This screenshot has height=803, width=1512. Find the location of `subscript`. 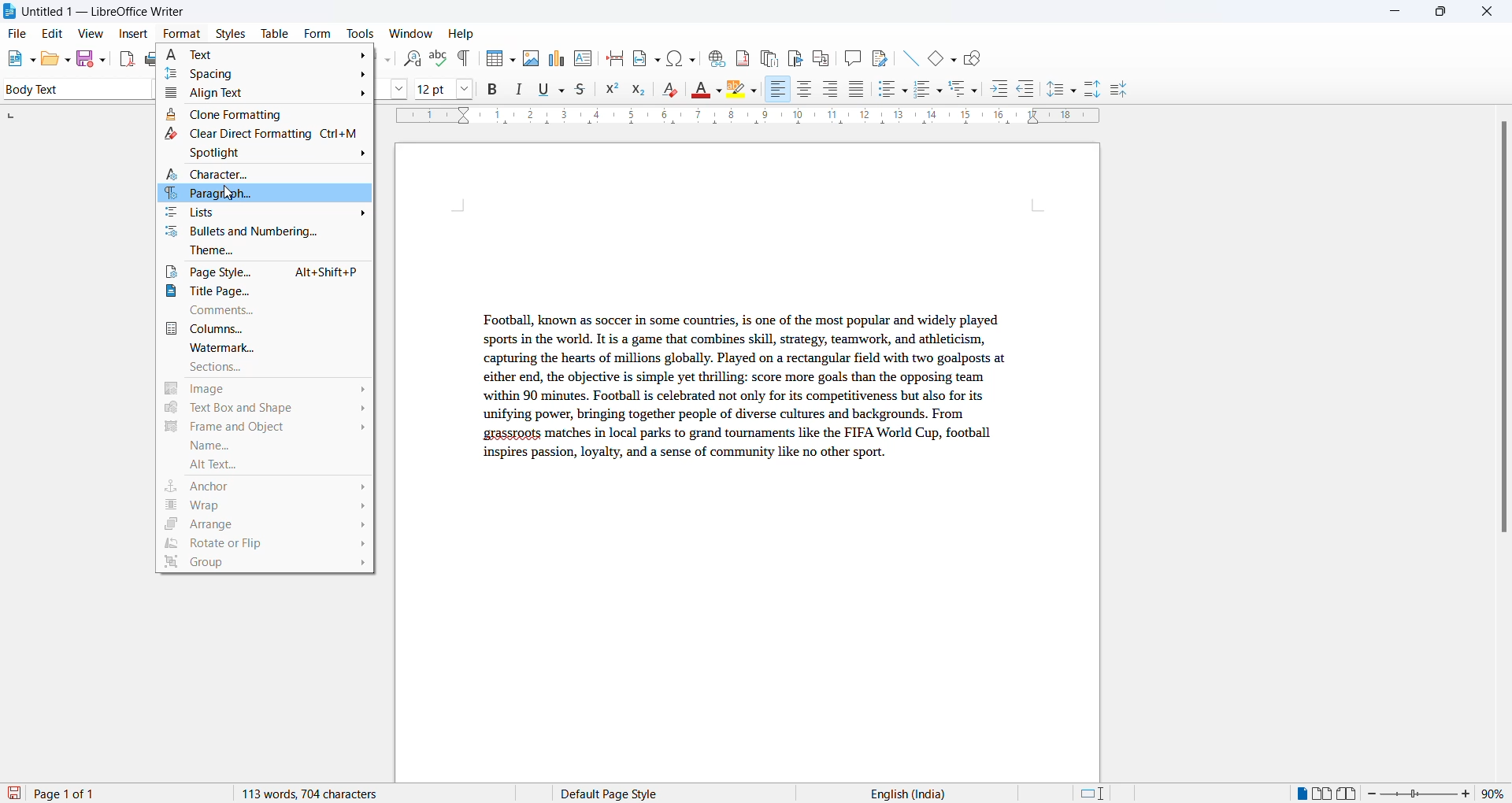

subscript is located at coordinates (643, 91).